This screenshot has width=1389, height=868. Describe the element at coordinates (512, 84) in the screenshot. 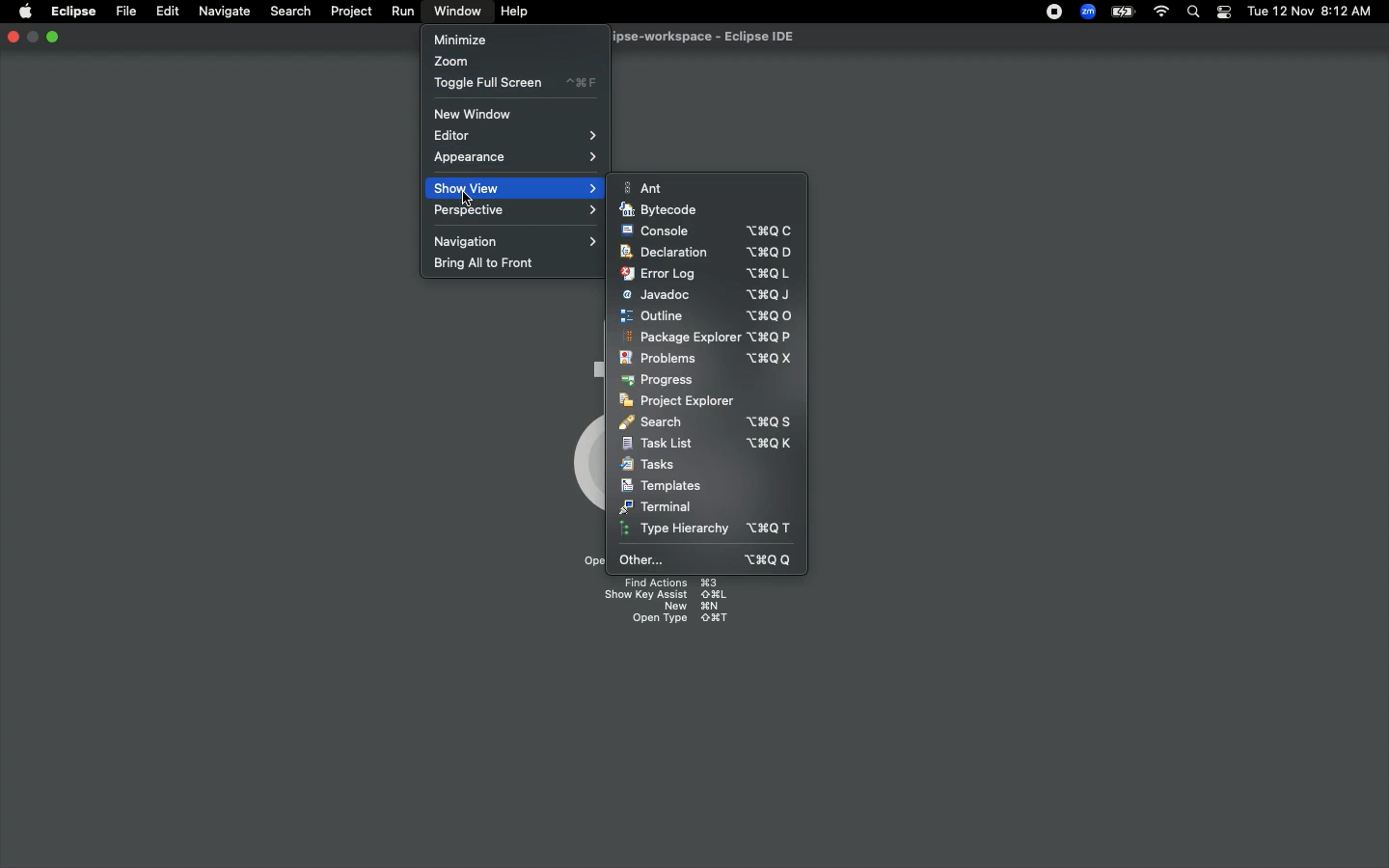

I see `Toggle full screen` at that location.